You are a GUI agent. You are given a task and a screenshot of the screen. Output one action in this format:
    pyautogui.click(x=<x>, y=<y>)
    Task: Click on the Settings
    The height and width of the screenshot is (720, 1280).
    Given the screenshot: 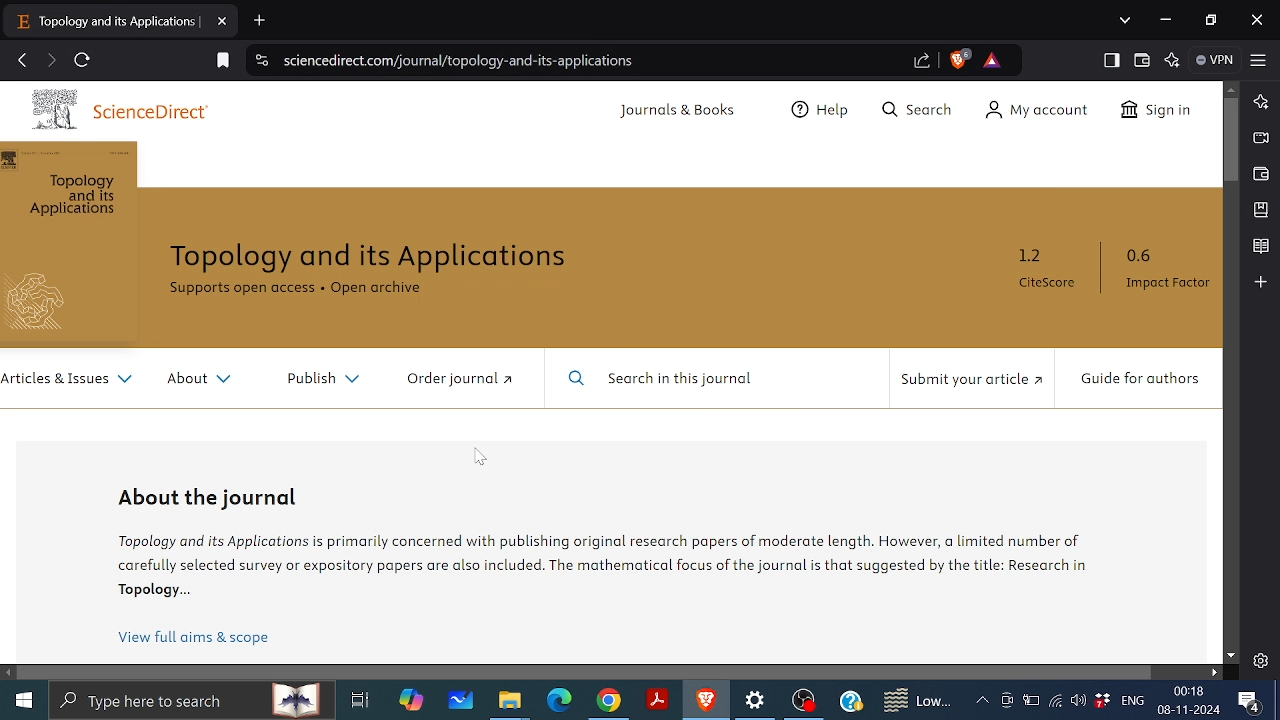 What is the action you would take?
    pyautogui.click(x=758, y=703)
    